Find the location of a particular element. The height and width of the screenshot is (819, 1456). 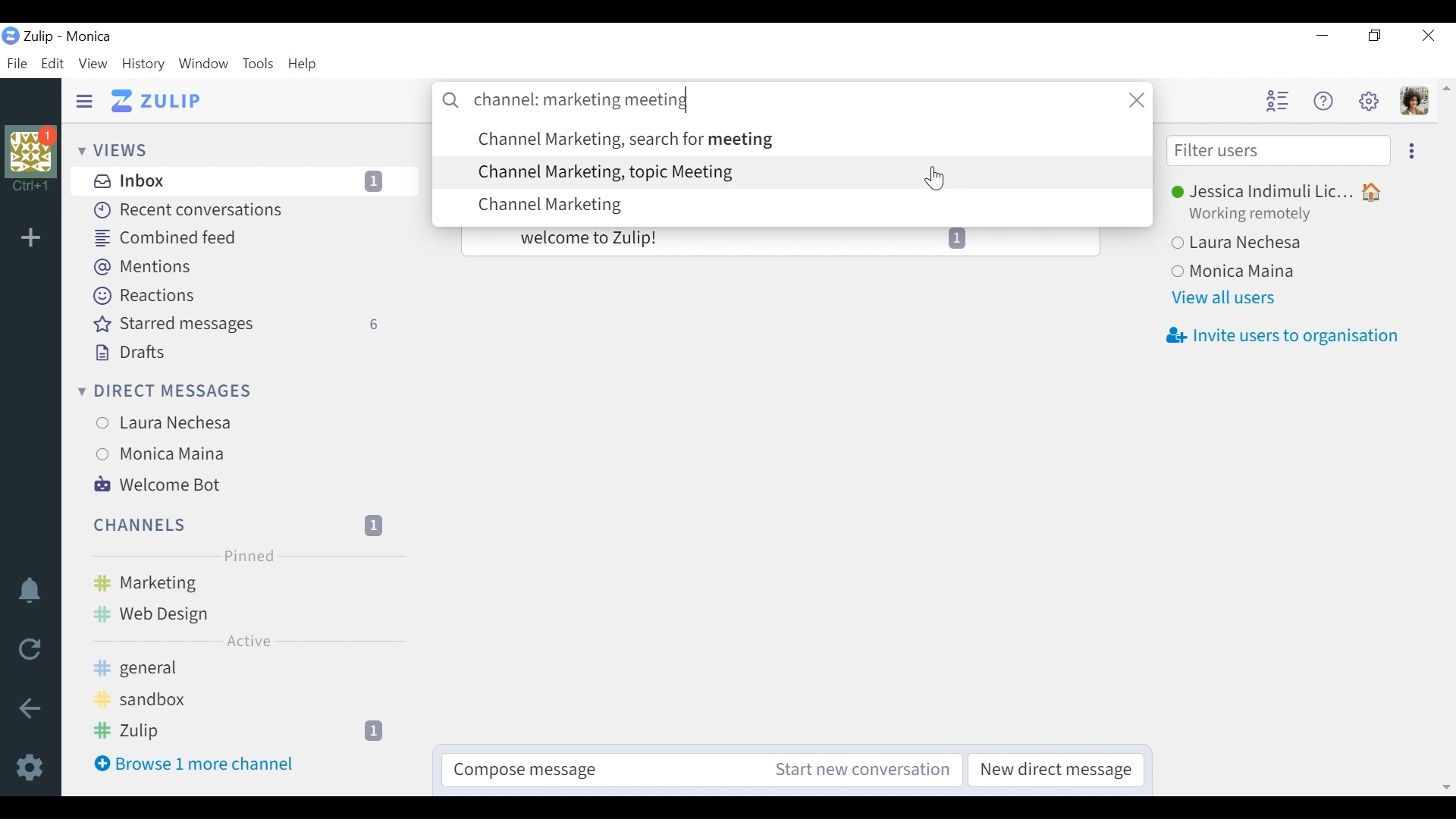

organisation logo is located at coordinates (11, 36).